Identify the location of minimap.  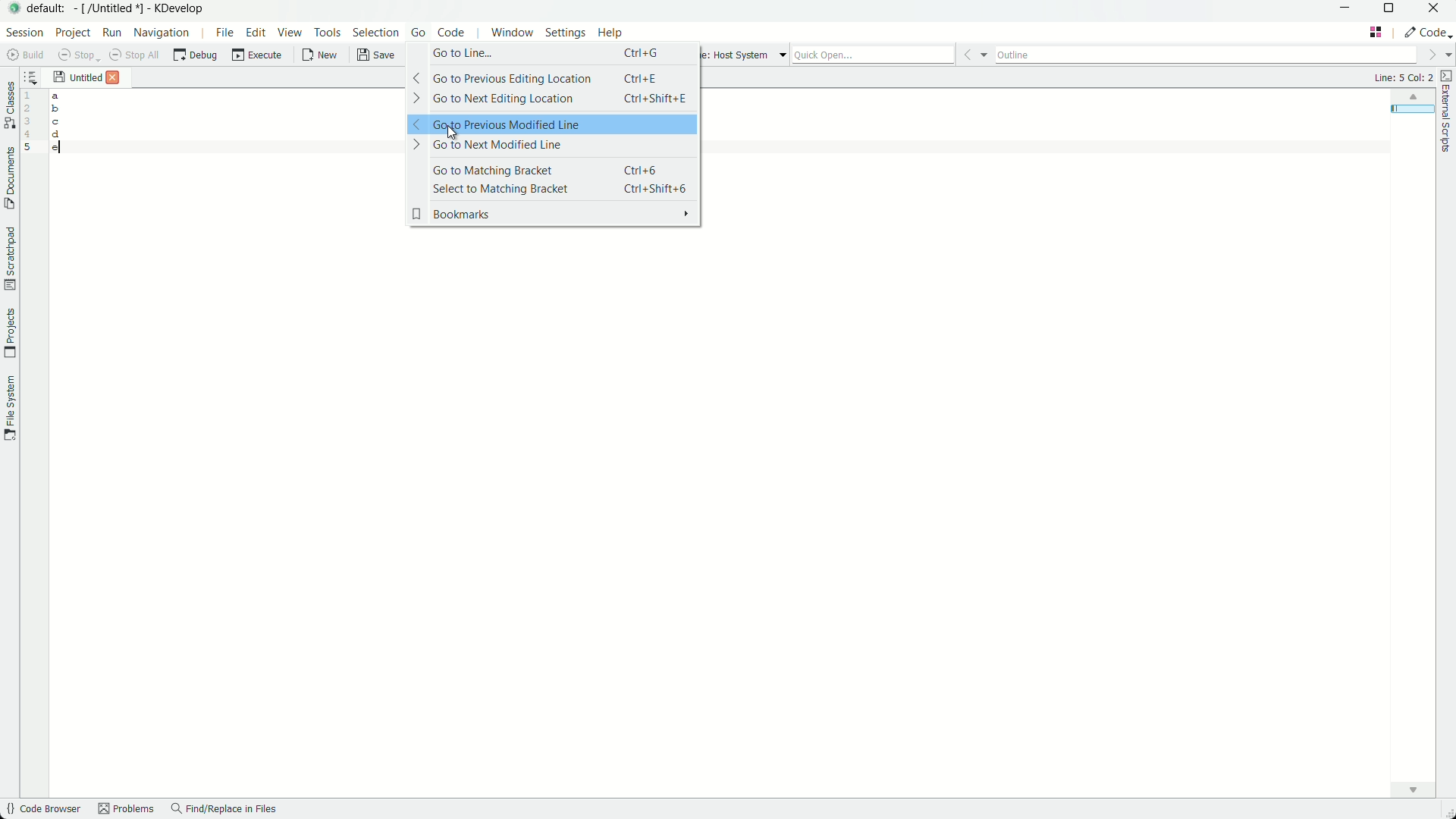
(1410, 98).